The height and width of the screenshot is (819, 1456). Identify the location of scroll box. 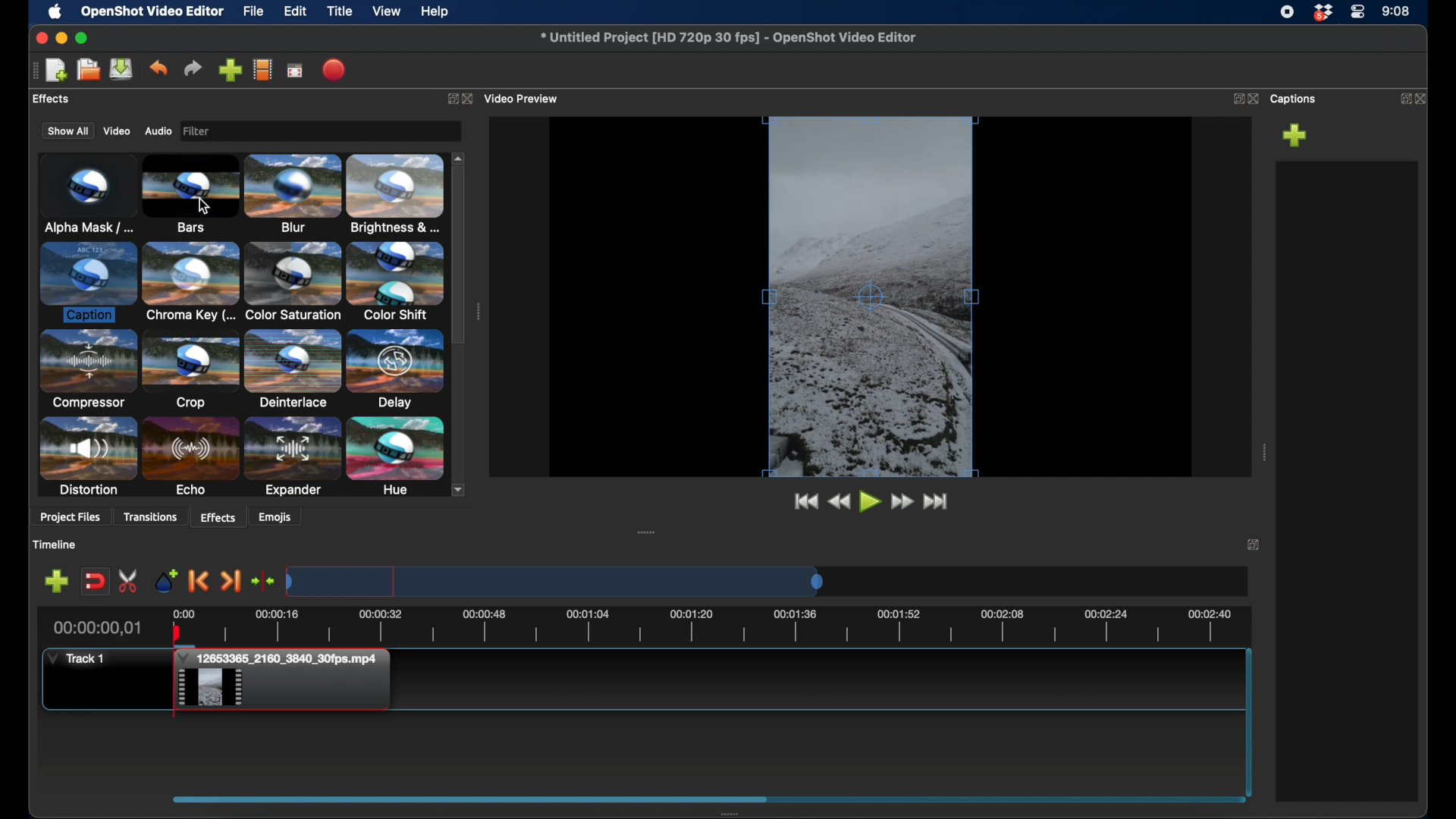
(469, 799).